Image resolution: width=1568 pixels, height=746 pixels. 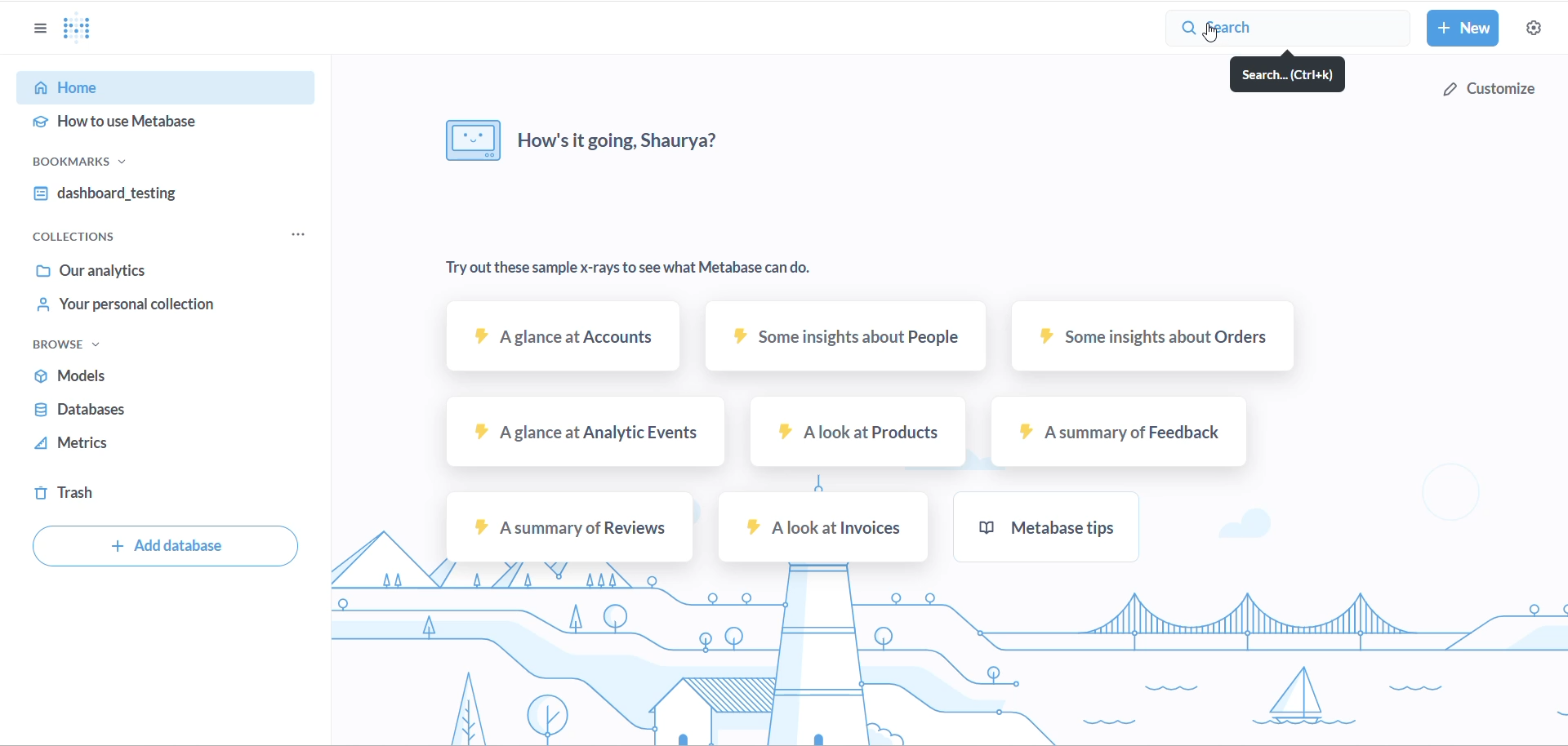 What do you see at coordinates (1484, 87) in the screenshot?
I see `customize` at bounding box center [1484, 87].